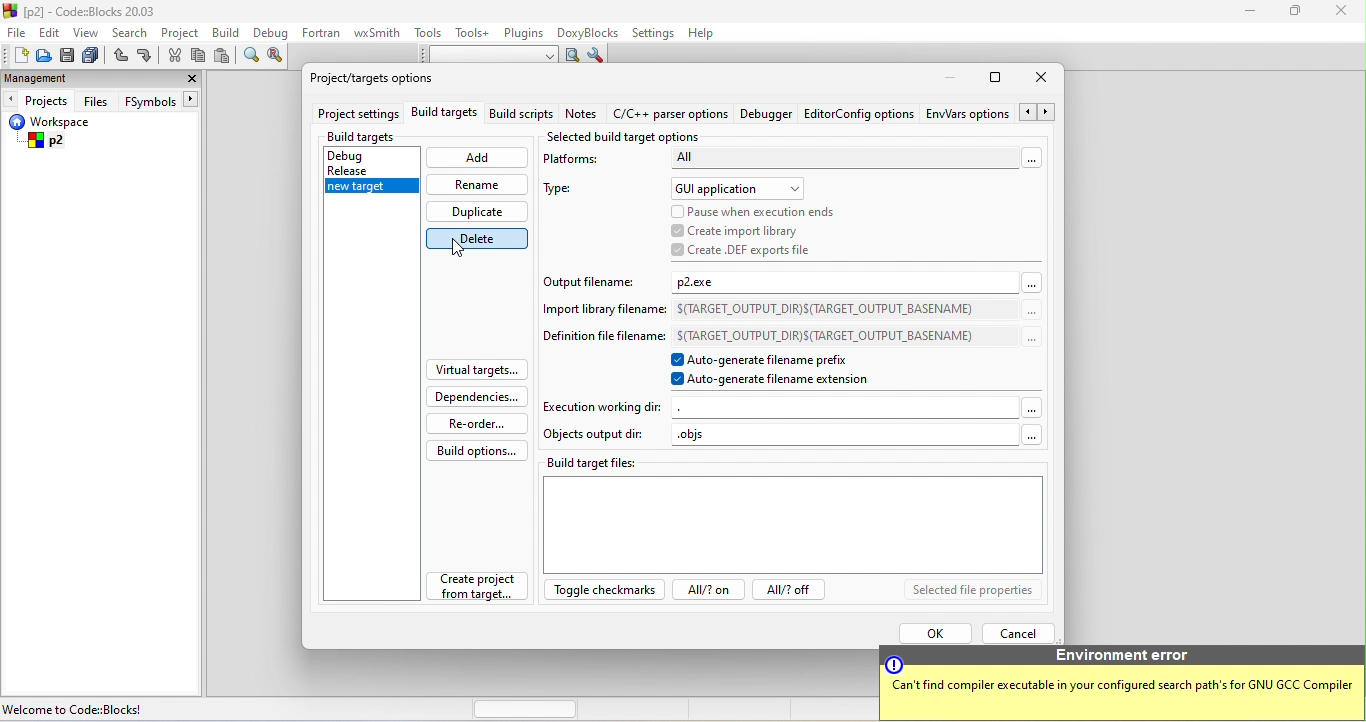 Image resolution: width=1366 pixels, height=722 pixels. Describe the element at coordinates (740, 188) in the screenshot. I see `gui application` at that location.